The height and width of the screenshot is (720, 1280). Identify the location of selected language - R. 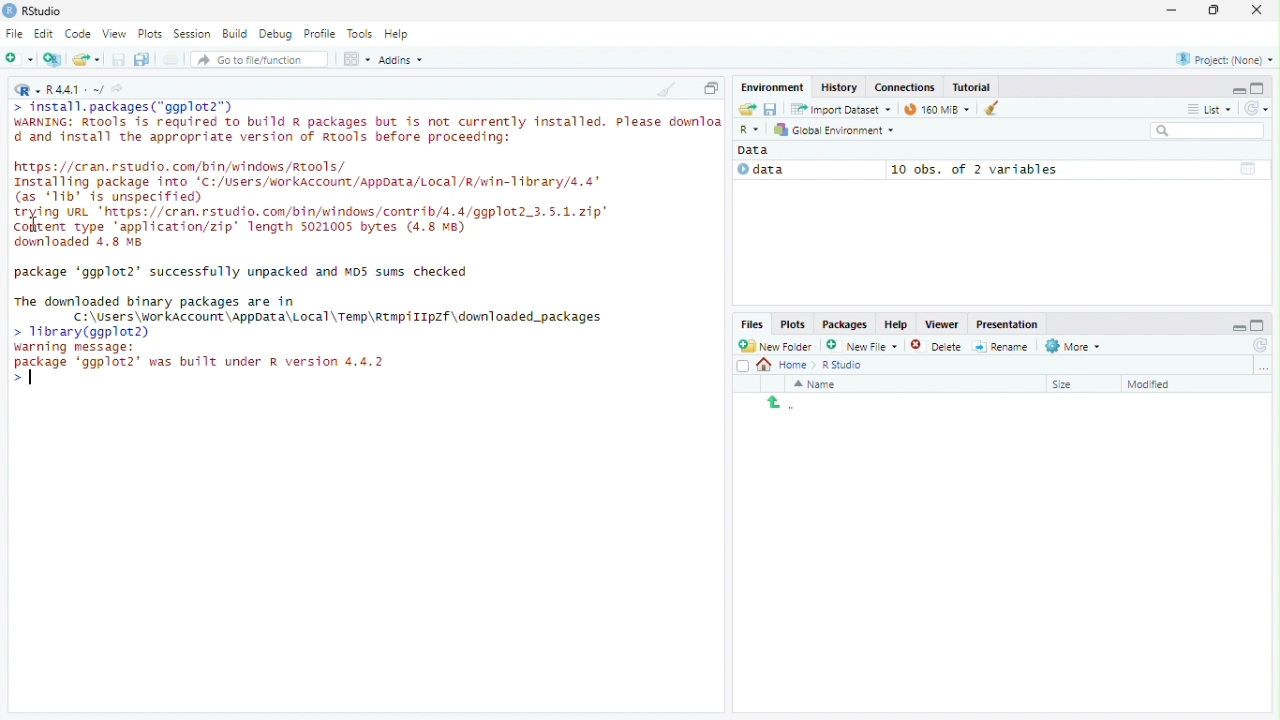
(750, 129).